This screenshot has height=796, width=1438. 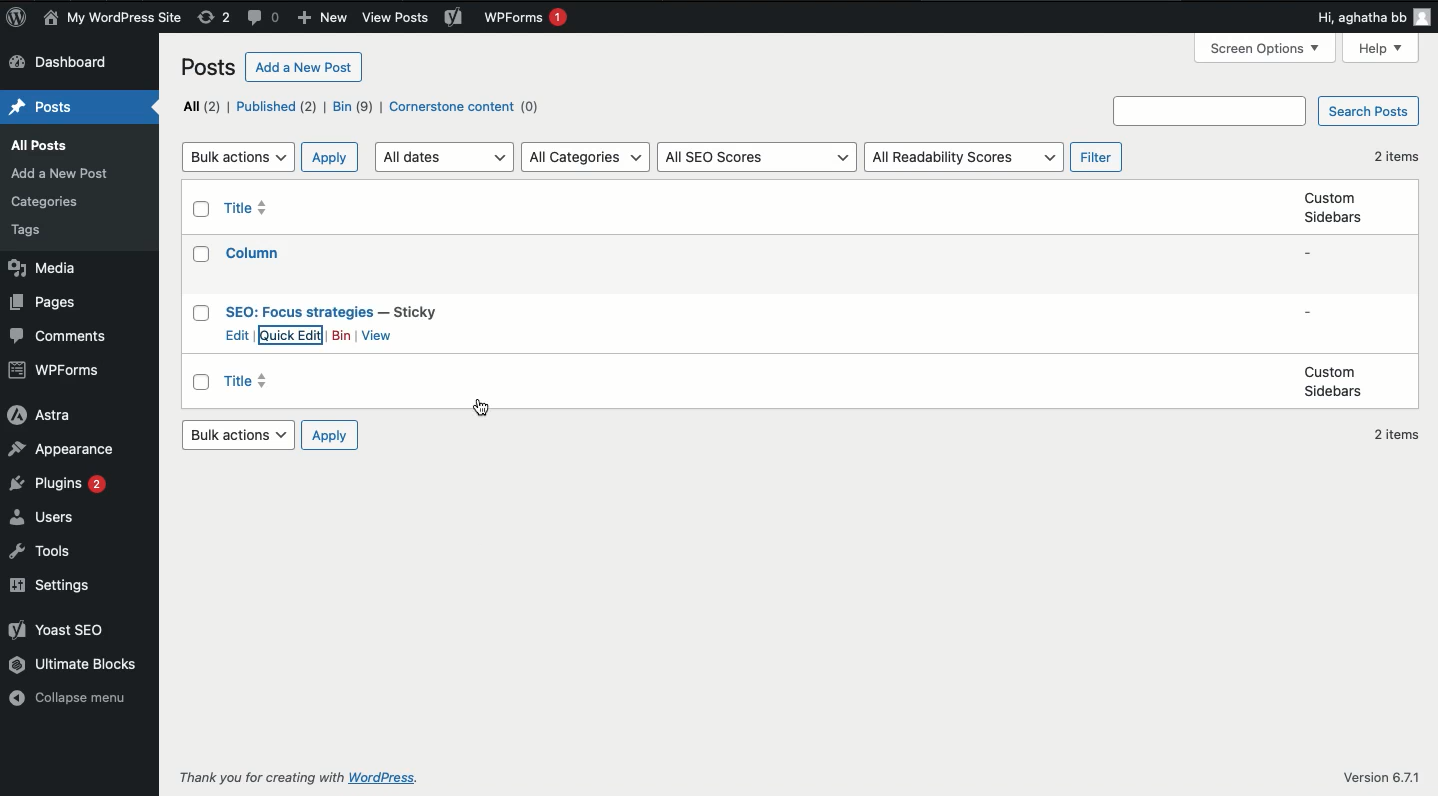 I want to click on WPForms, so click(x=525, y=20).